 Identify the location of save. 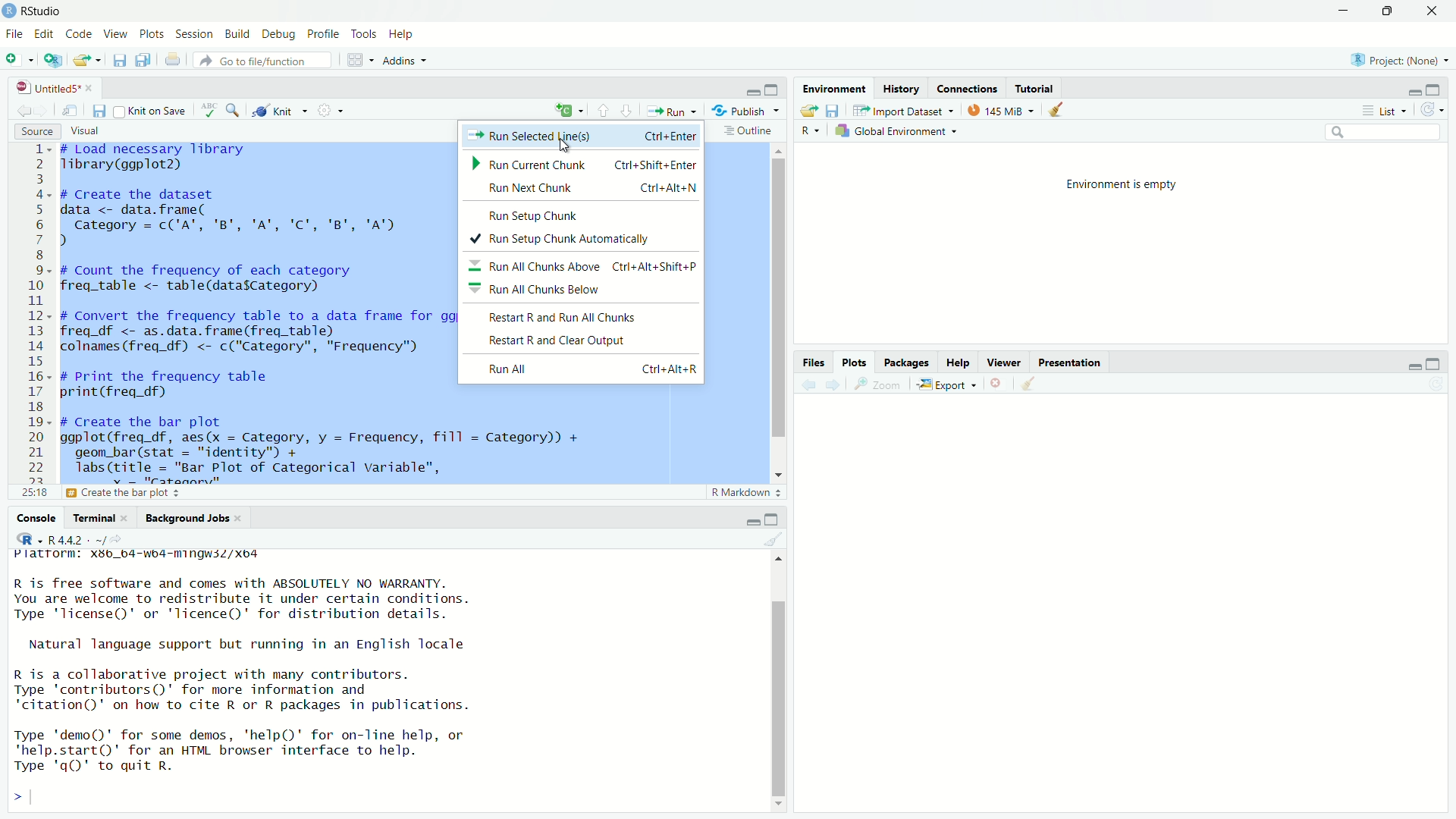
(101, 111).